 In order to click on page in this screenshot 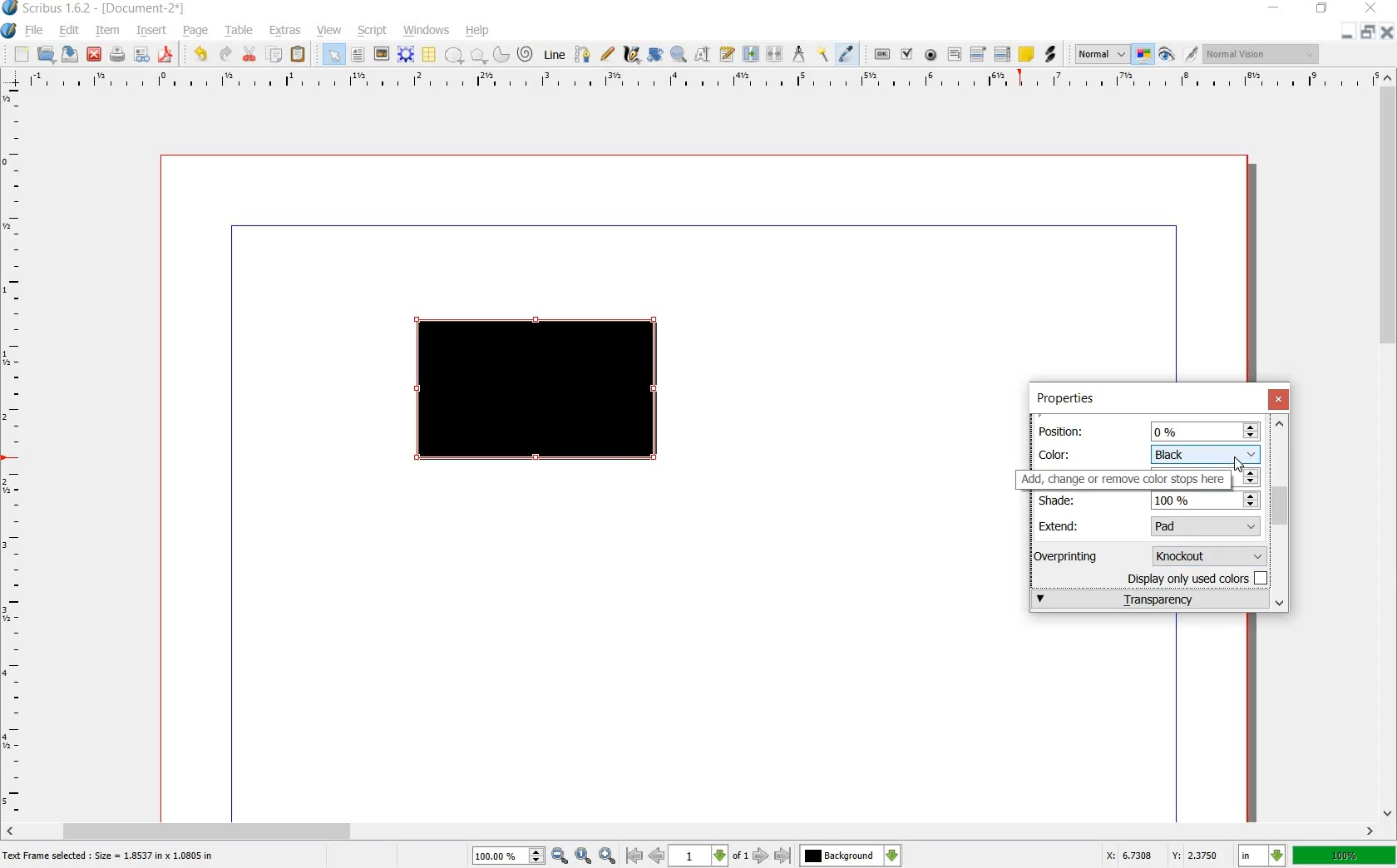, I will do `click(196, 32)`.